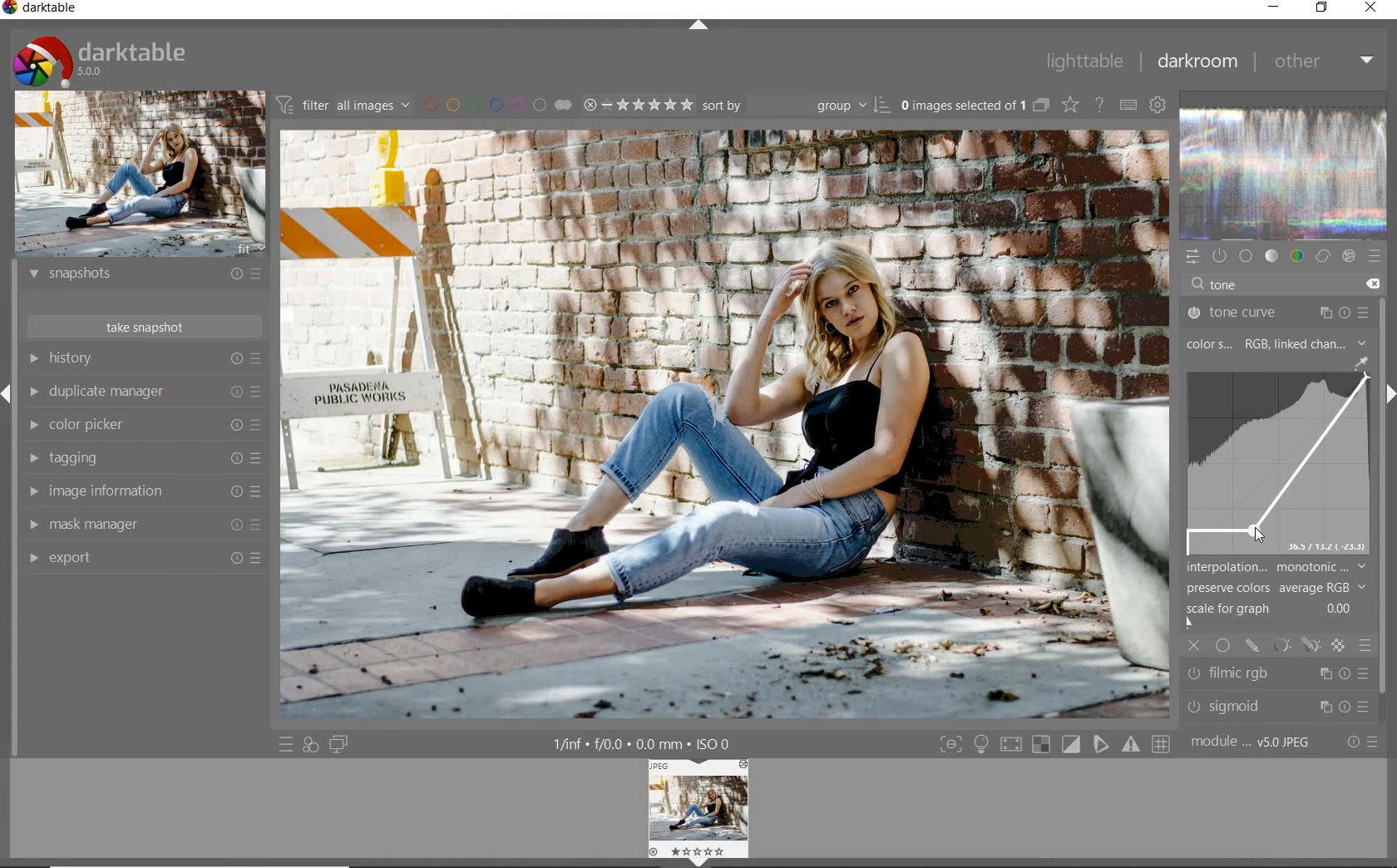 Image resolution: width=1397 pixels, height=868 pixels. What do you see at coordinates (1276, 706) in the screenshot?
I see `sigmoid` at bounding box center [1276, 706].